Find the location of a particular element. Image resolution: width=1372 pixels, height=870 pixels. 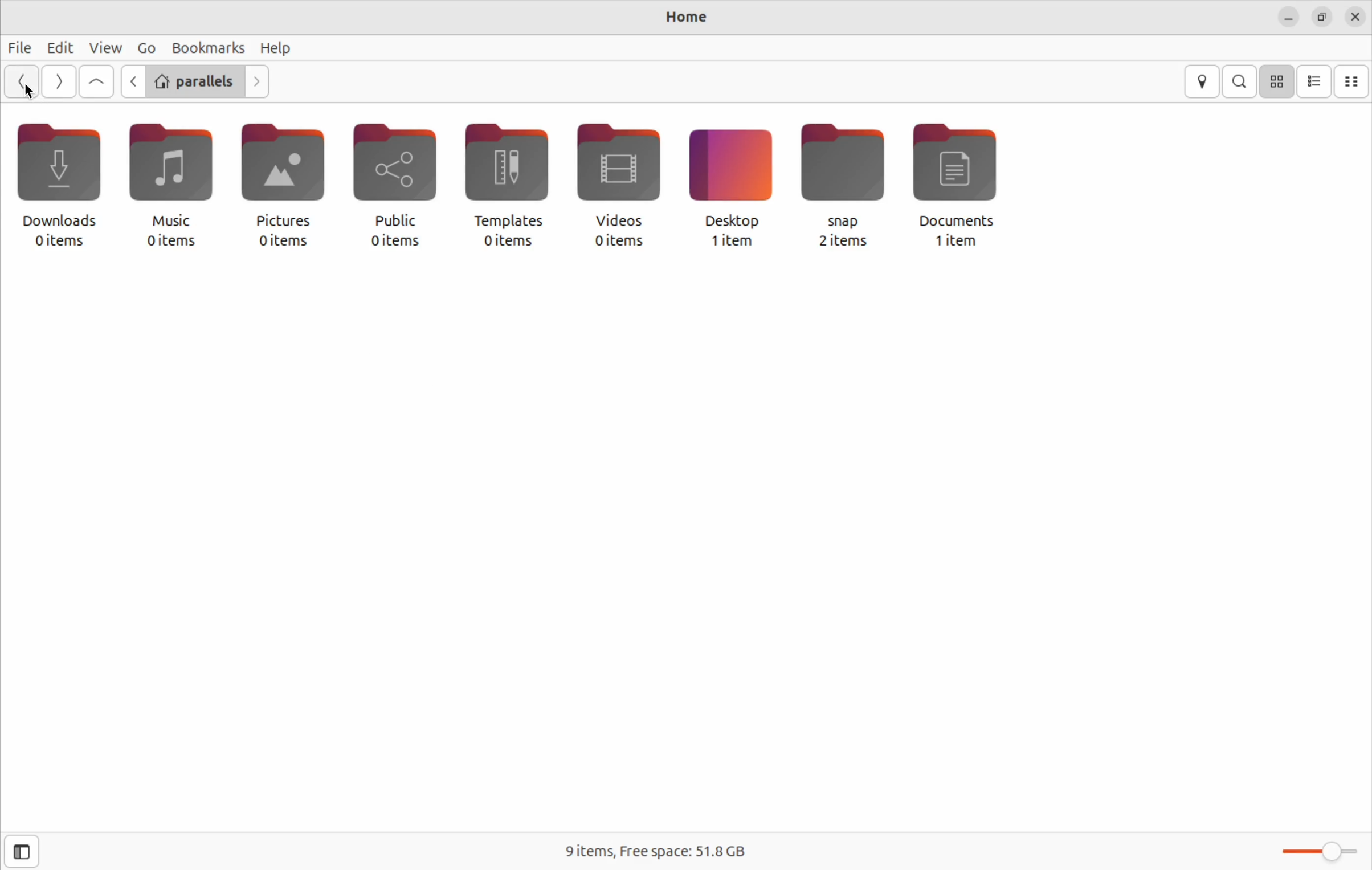

icon view is located at coordinates (1279, 81).